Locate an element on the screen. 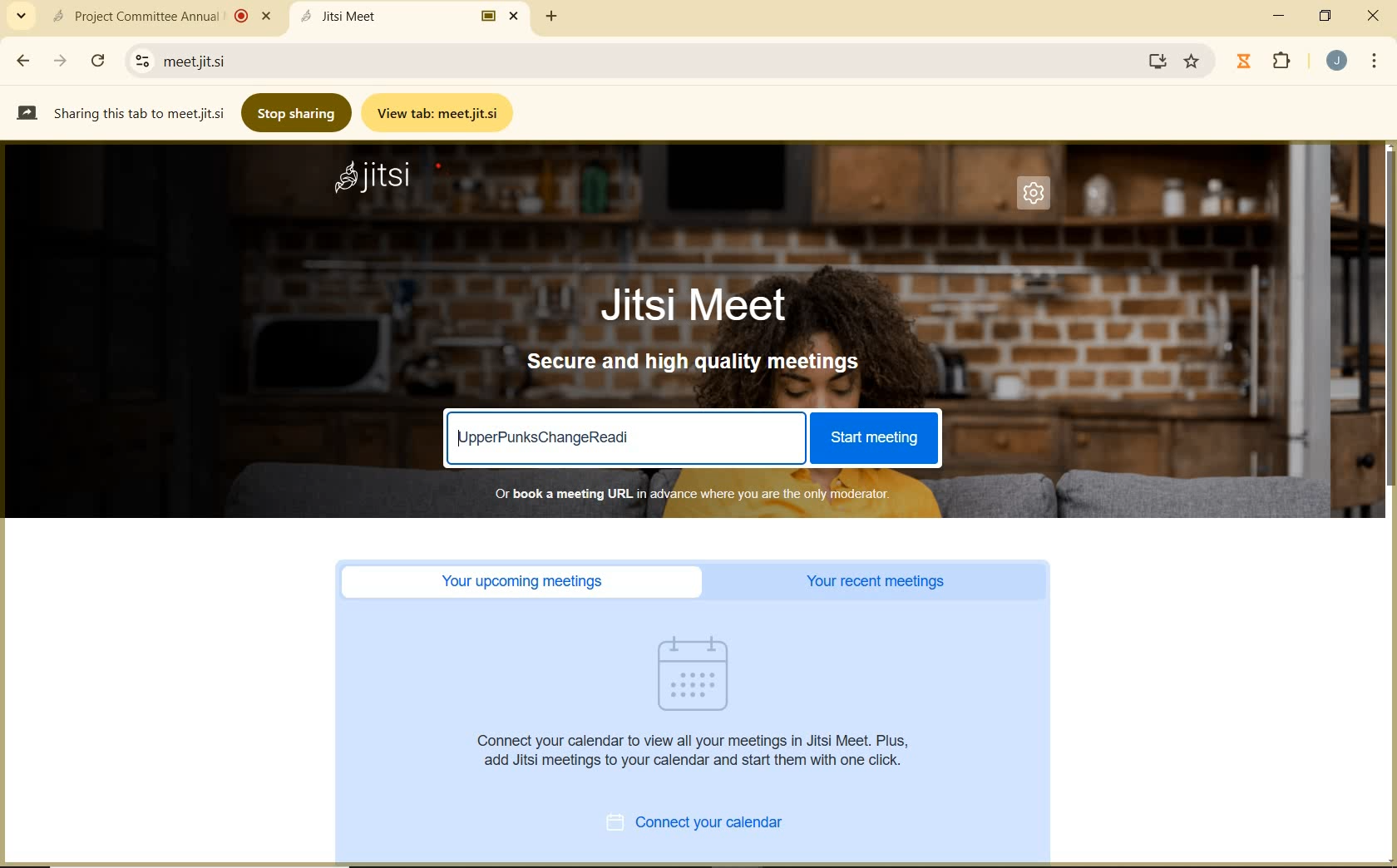 The image size is (1397, 868).  Annotation Tool is located at coordinates (446, 170).